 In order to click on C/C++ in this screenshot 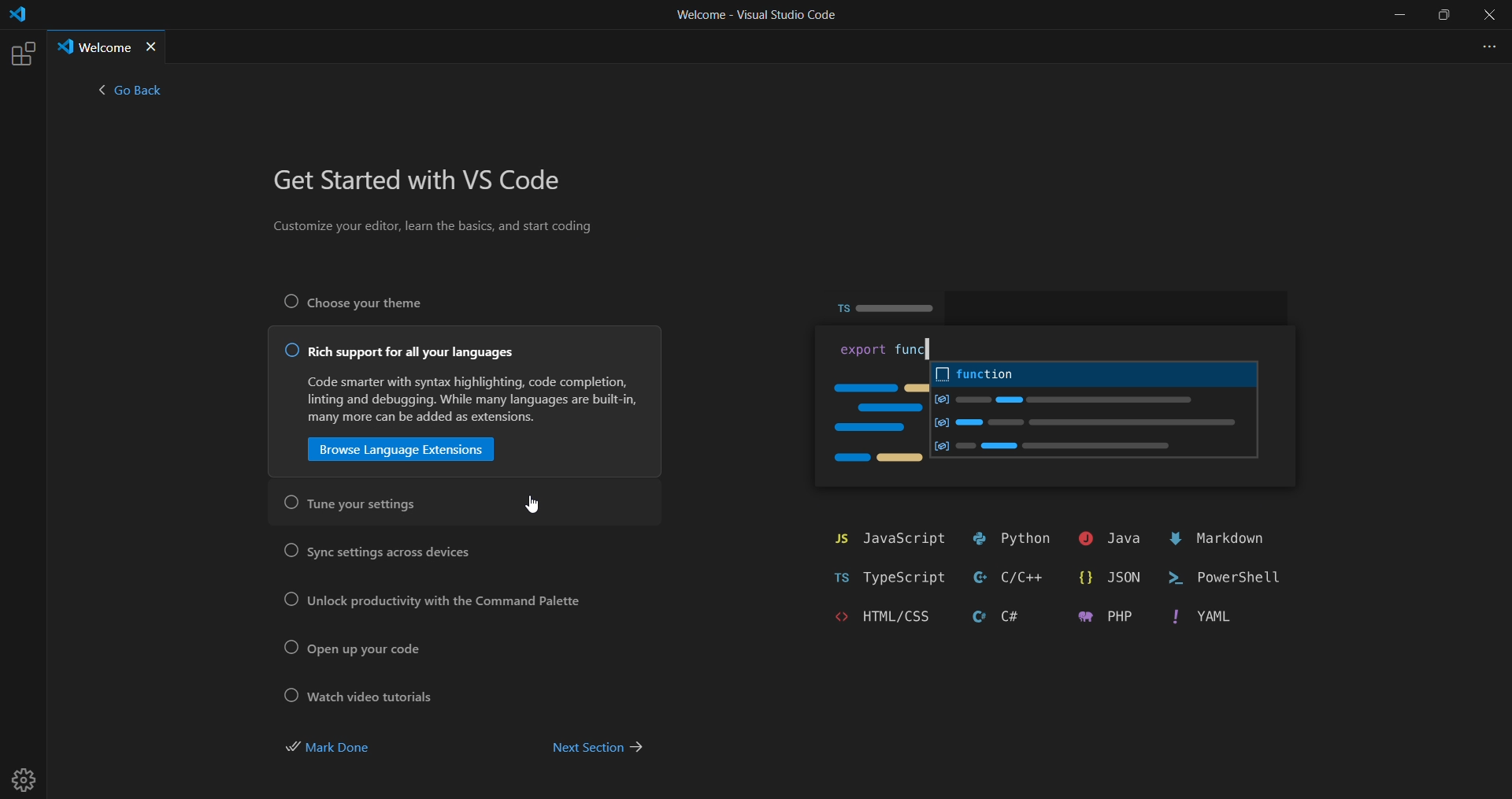, I will do `click(1011, 576)`.